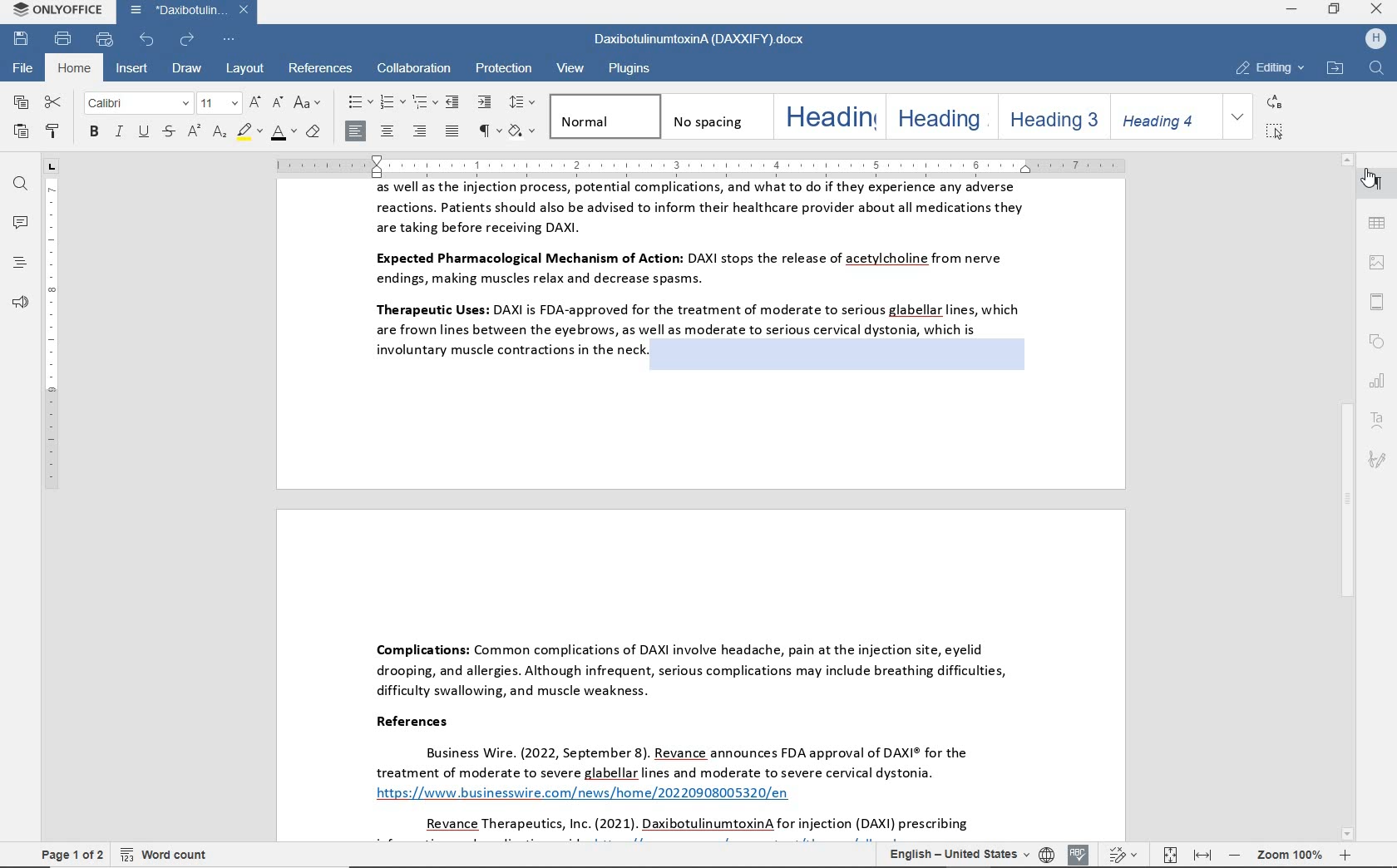 The width and height of the screenshot is (1397, 868). Describe the element at coordinates (956, 855) in the screenshot. I see `text language` at that location.